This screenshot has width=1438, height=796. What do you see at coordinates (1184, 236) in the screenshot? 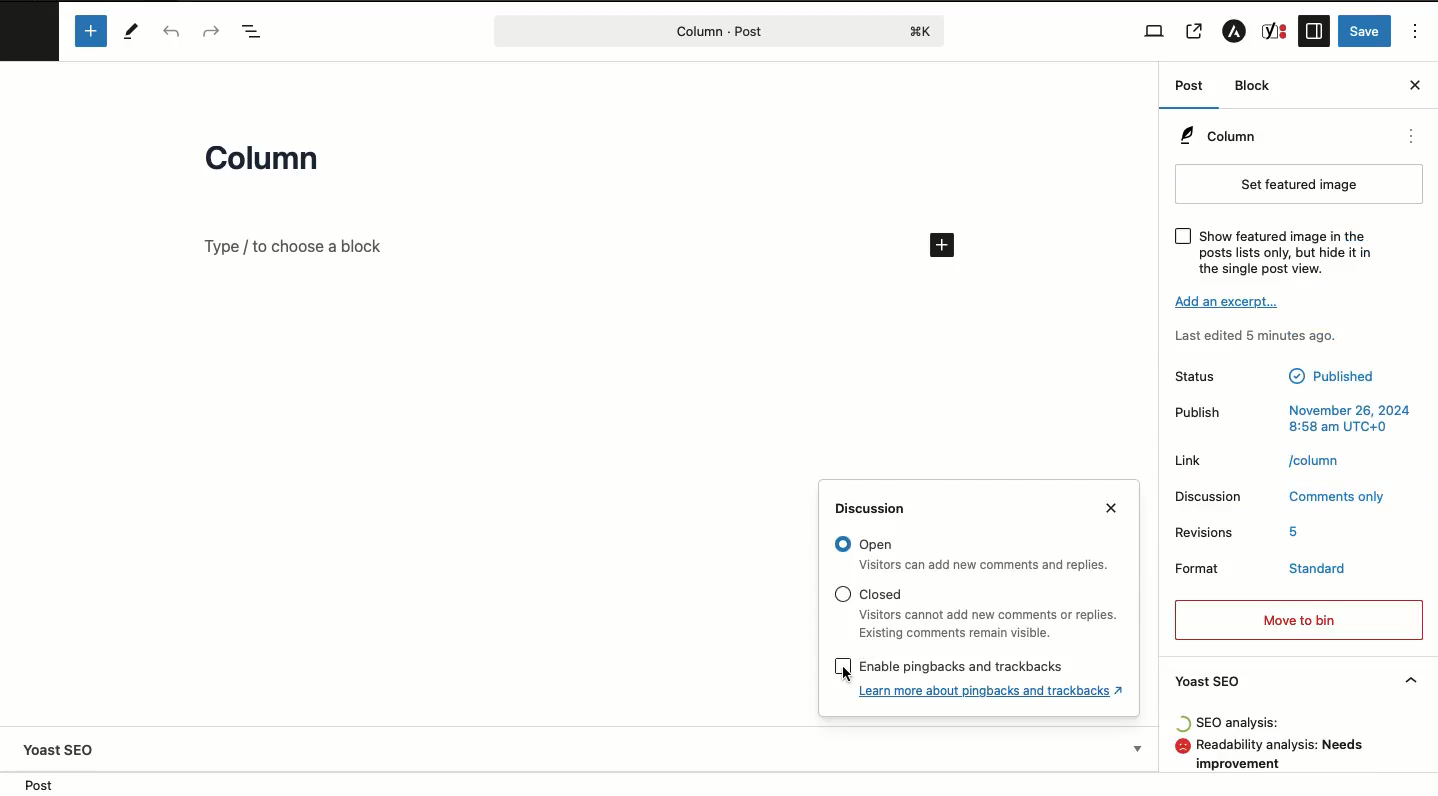
I see `Checkbox ` at bounding box center [1184, 236].